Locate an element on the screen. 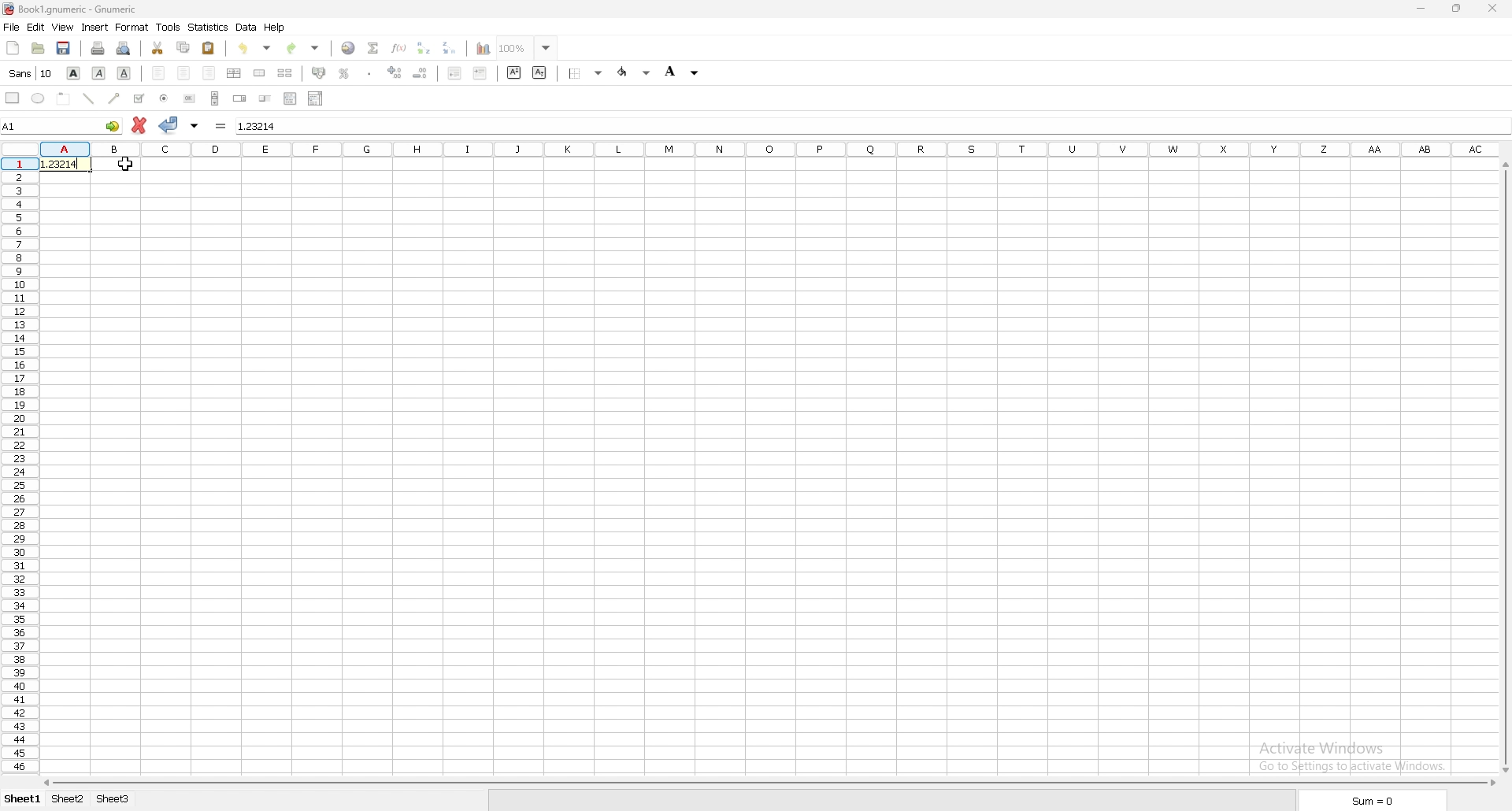 This screenshot has width=1512, height=811. spin button is located at coordinates (239, 99).